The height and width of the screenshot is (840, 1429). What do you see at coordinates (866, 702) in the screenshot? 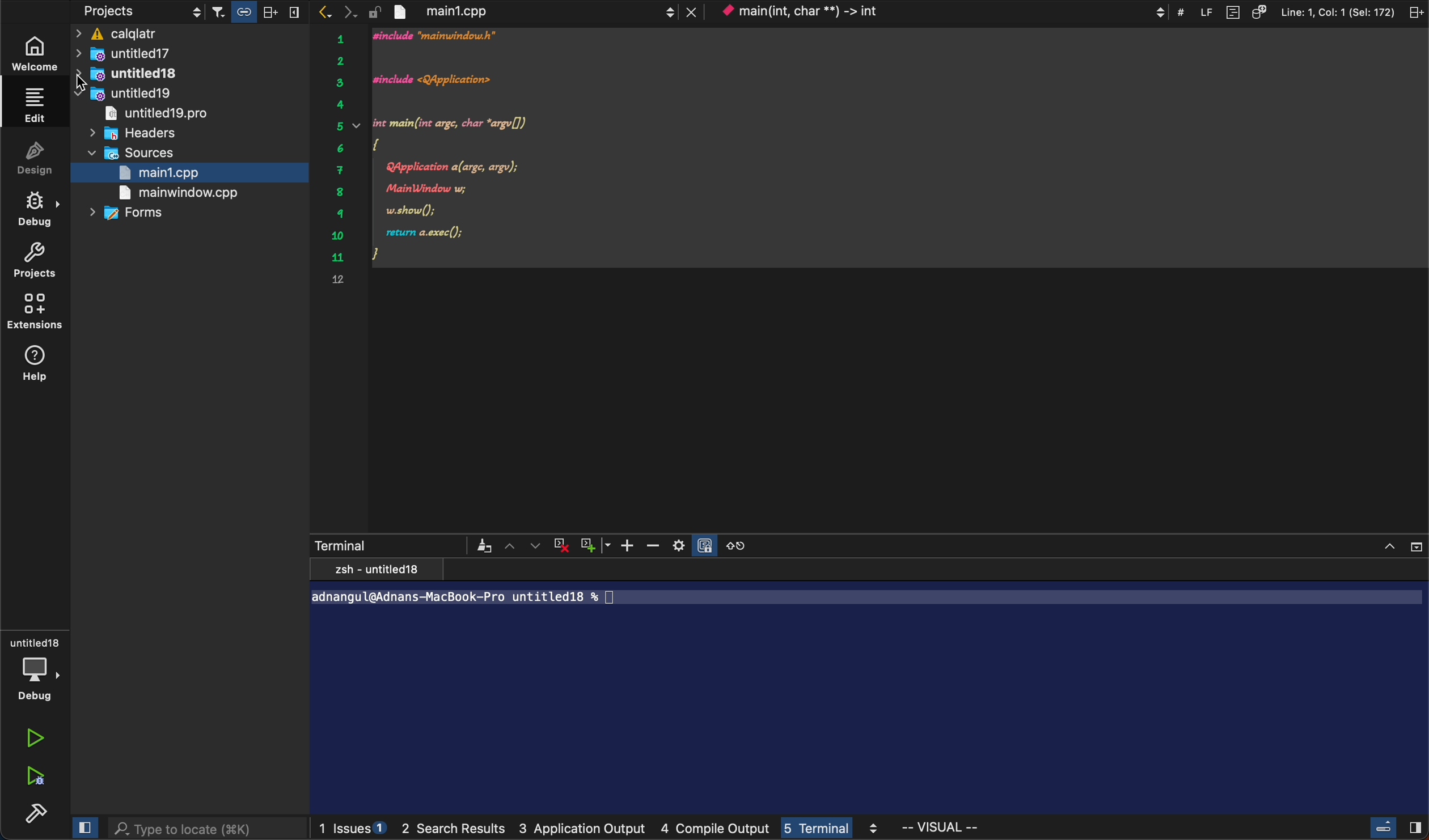
I see `terminal` at bounding box center [866, 702].